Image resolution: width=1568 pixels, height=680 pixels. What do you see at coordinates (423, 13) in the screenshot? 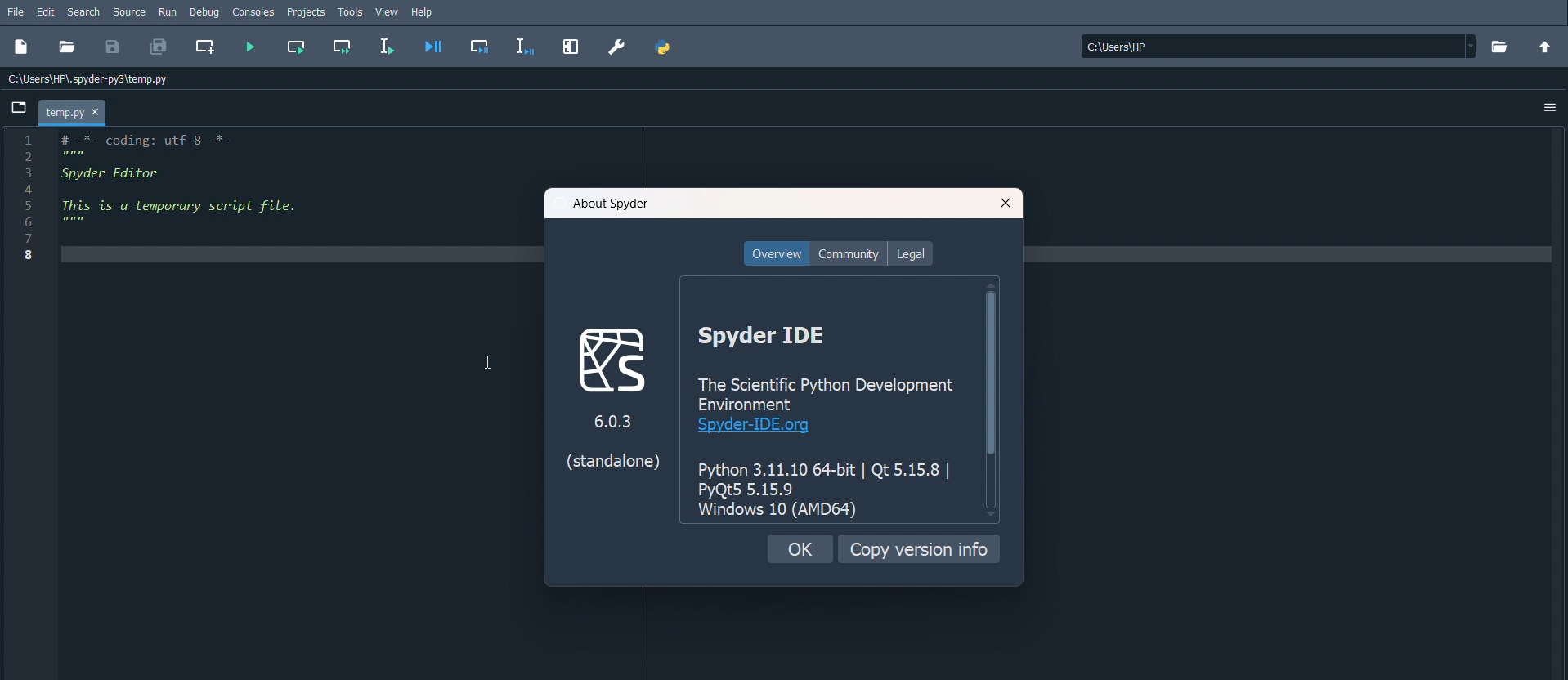
I see `Help` at bounding box center [423, 13].